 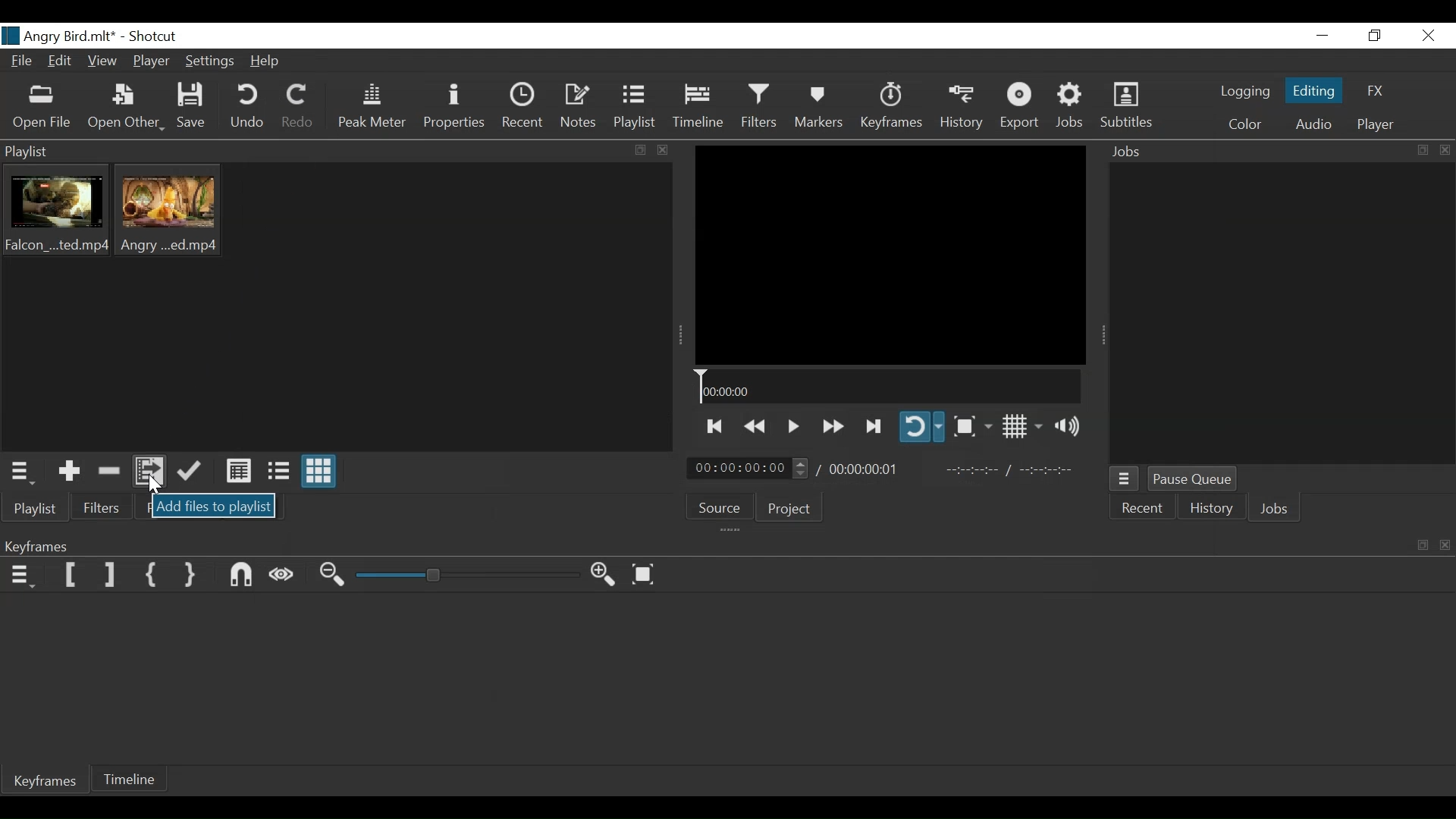 I want to click on Properties, so click(x=456, y=108).